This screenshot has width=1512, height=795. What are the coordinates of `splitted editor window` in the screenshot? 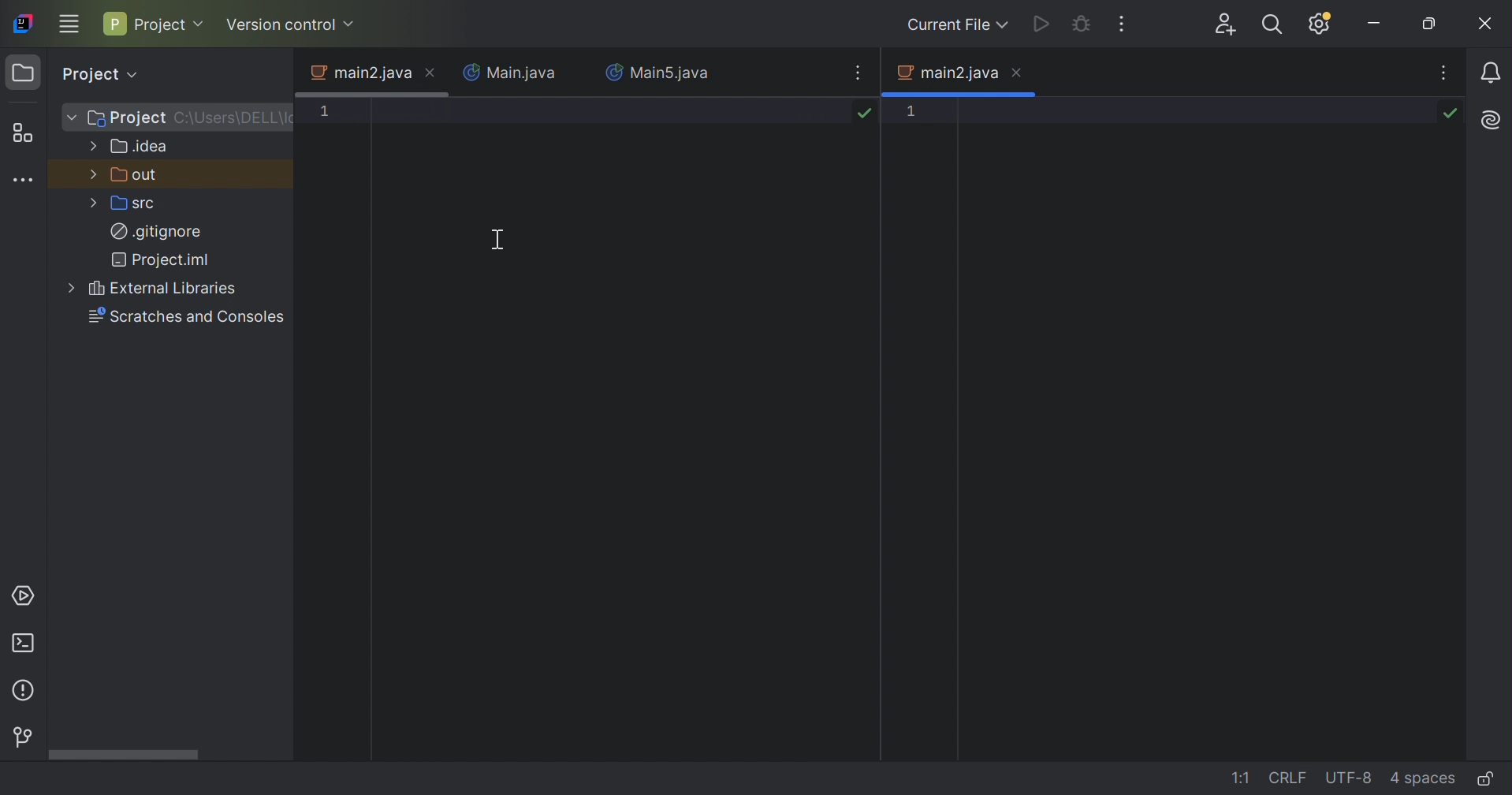 It's located at (1212, 444).